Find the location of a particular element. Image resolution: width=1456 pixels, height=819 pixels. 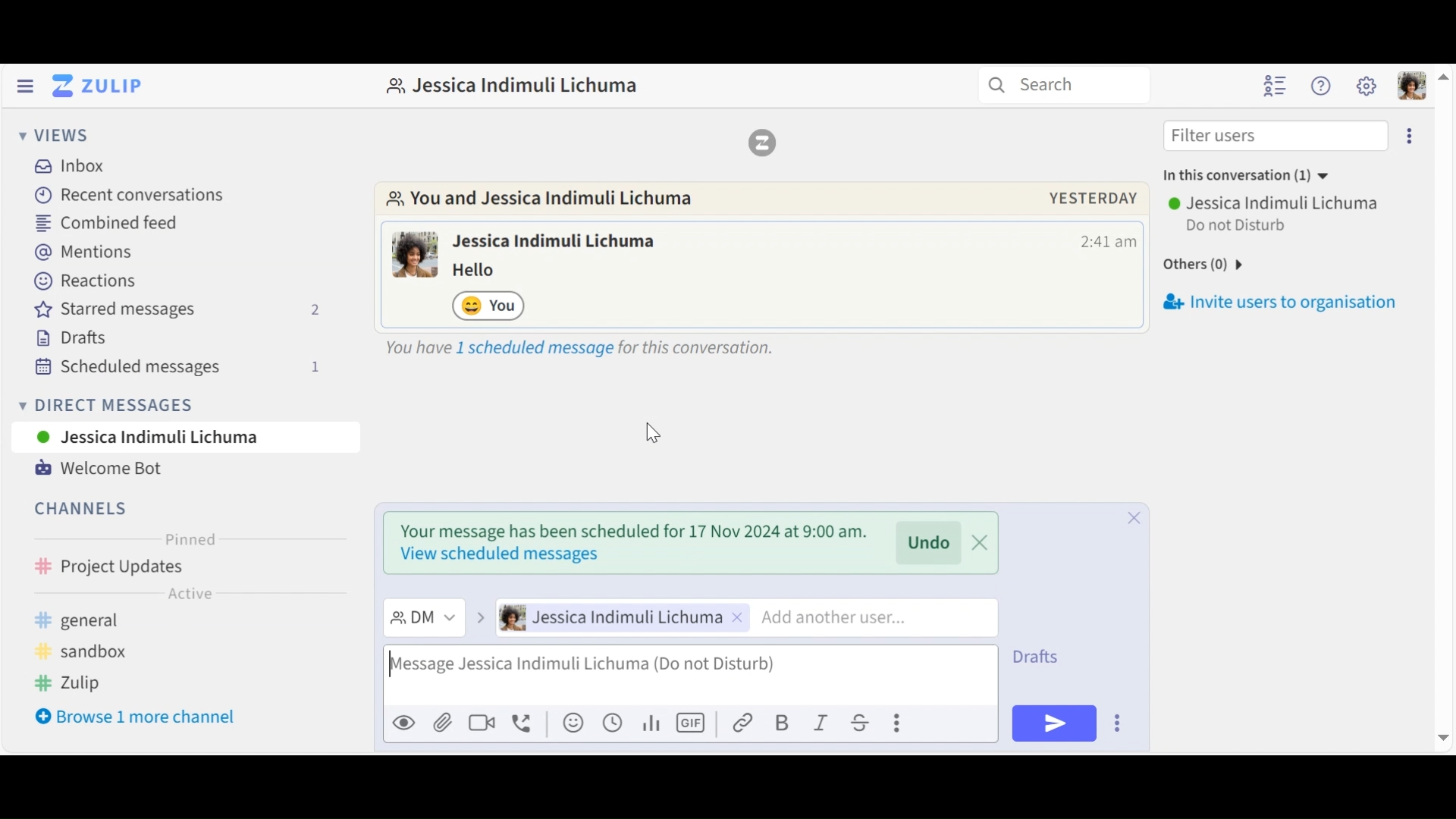

Zulip is located at coordinates (762, 142).